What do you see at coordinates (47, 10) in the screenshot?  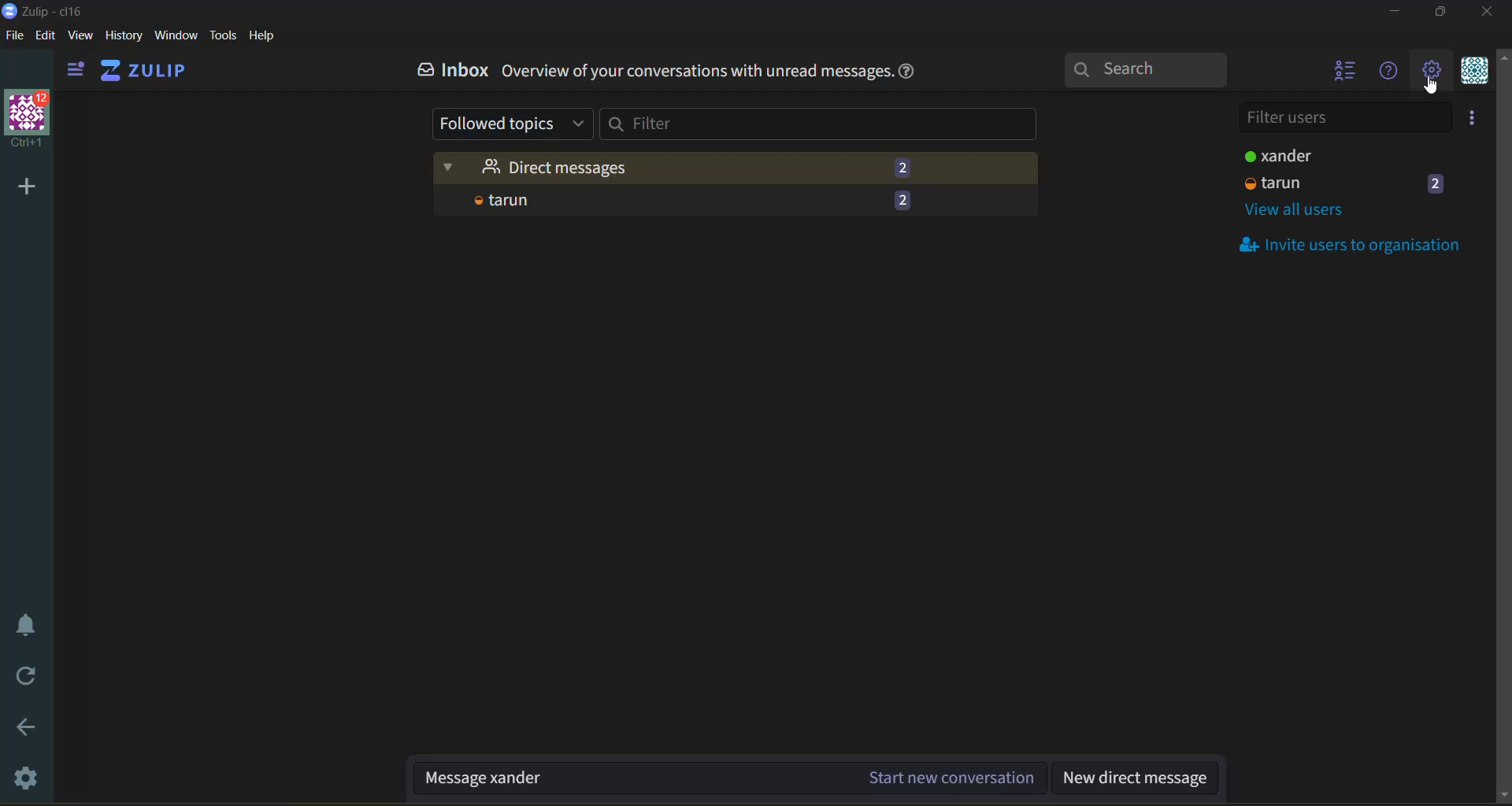 I see `application logo and name` at bounding box center [47, 10].